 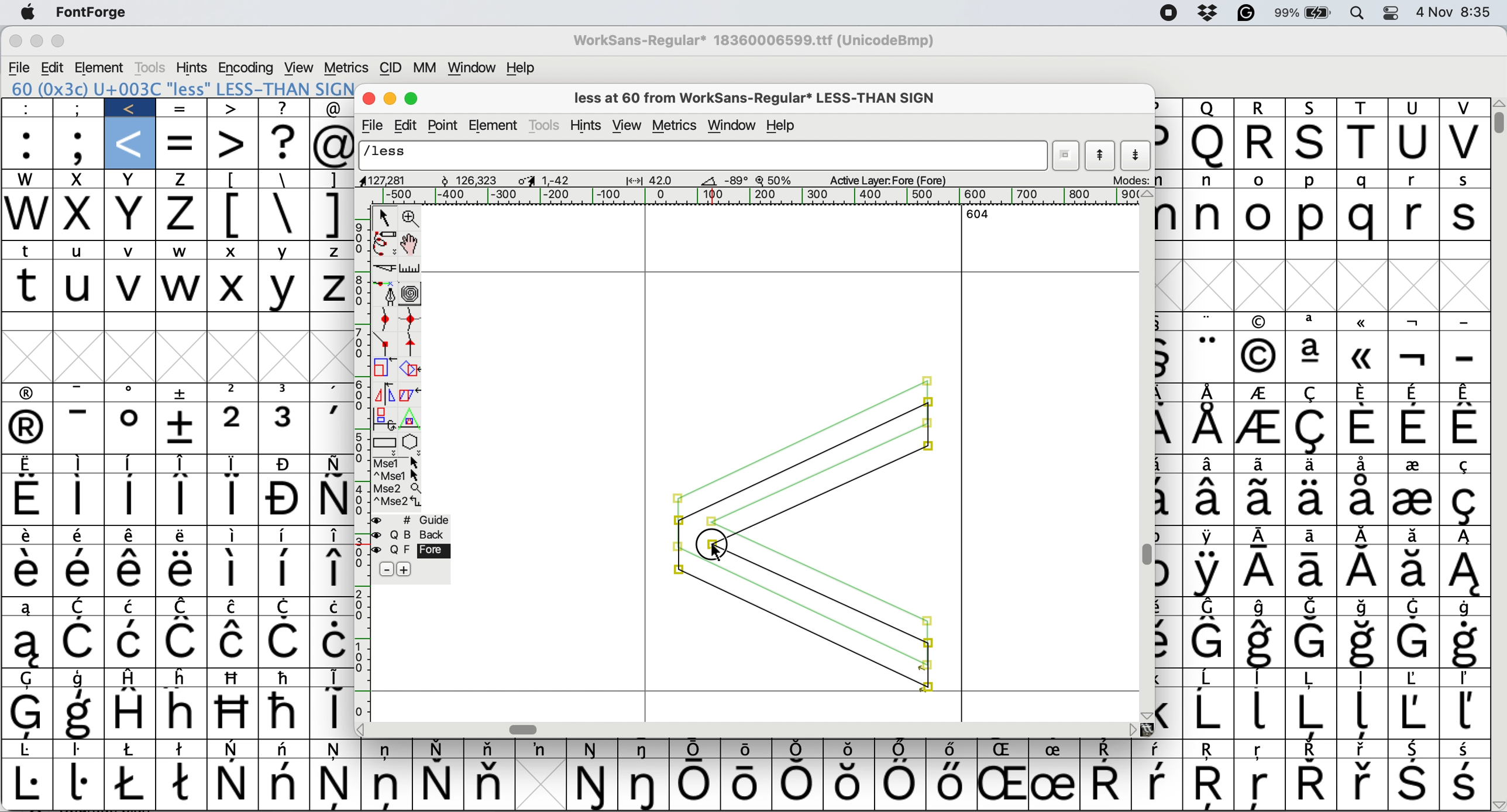 What do you see at coordinates (131, 180) in the screenshot?
I see `x` at bounding box center [131, 180].